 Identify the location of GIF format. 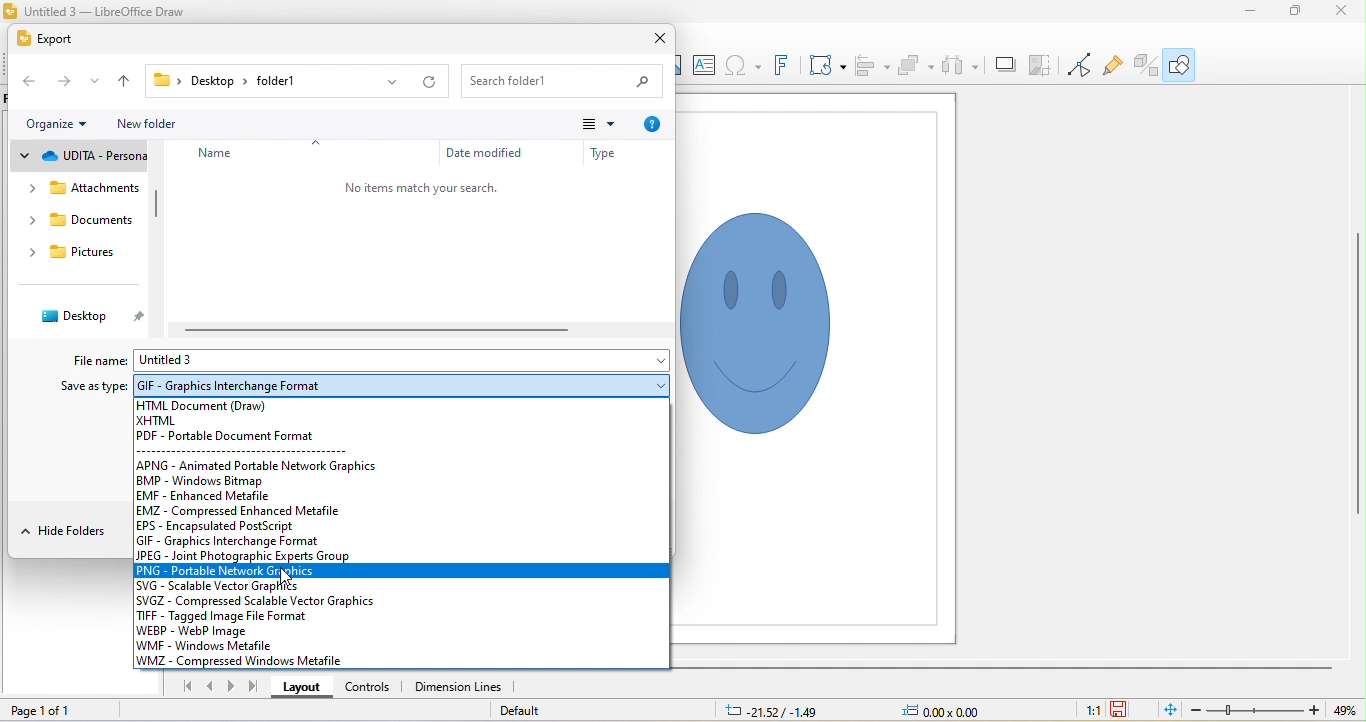
(240, 389).